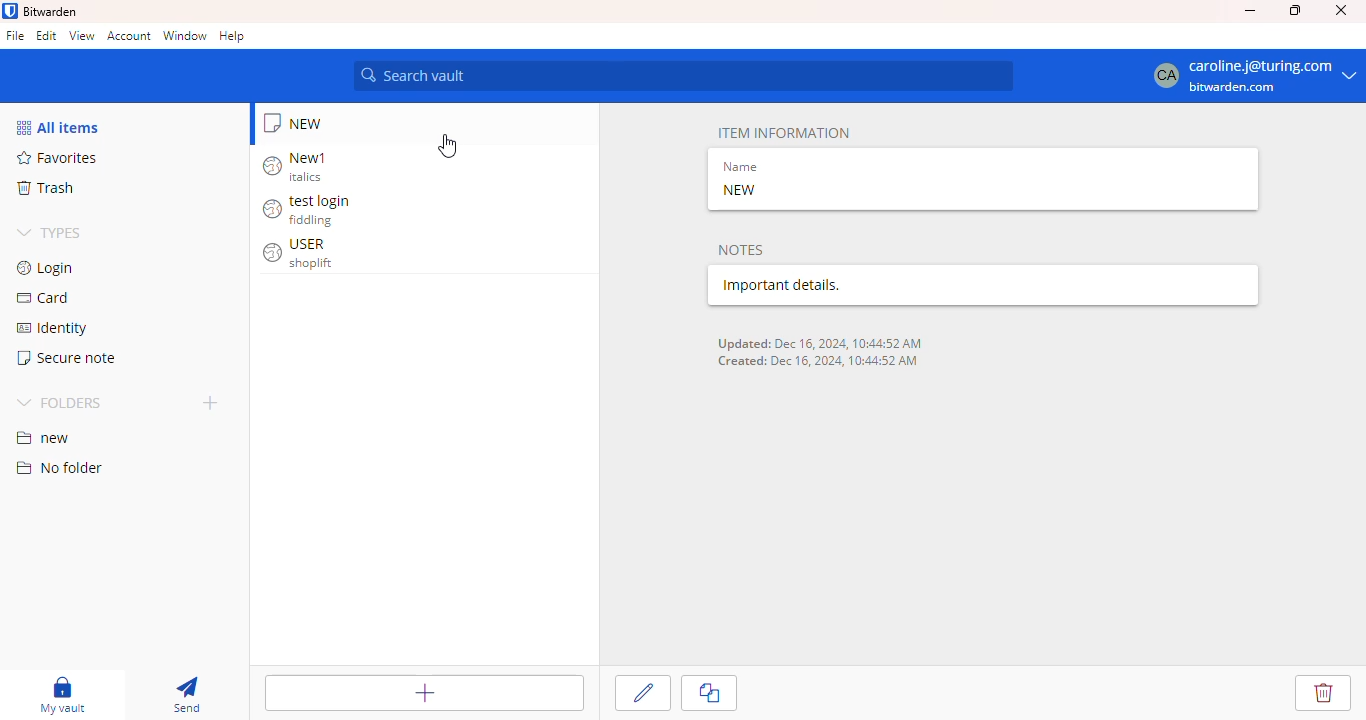  I want to click on login, so click(47, 269).